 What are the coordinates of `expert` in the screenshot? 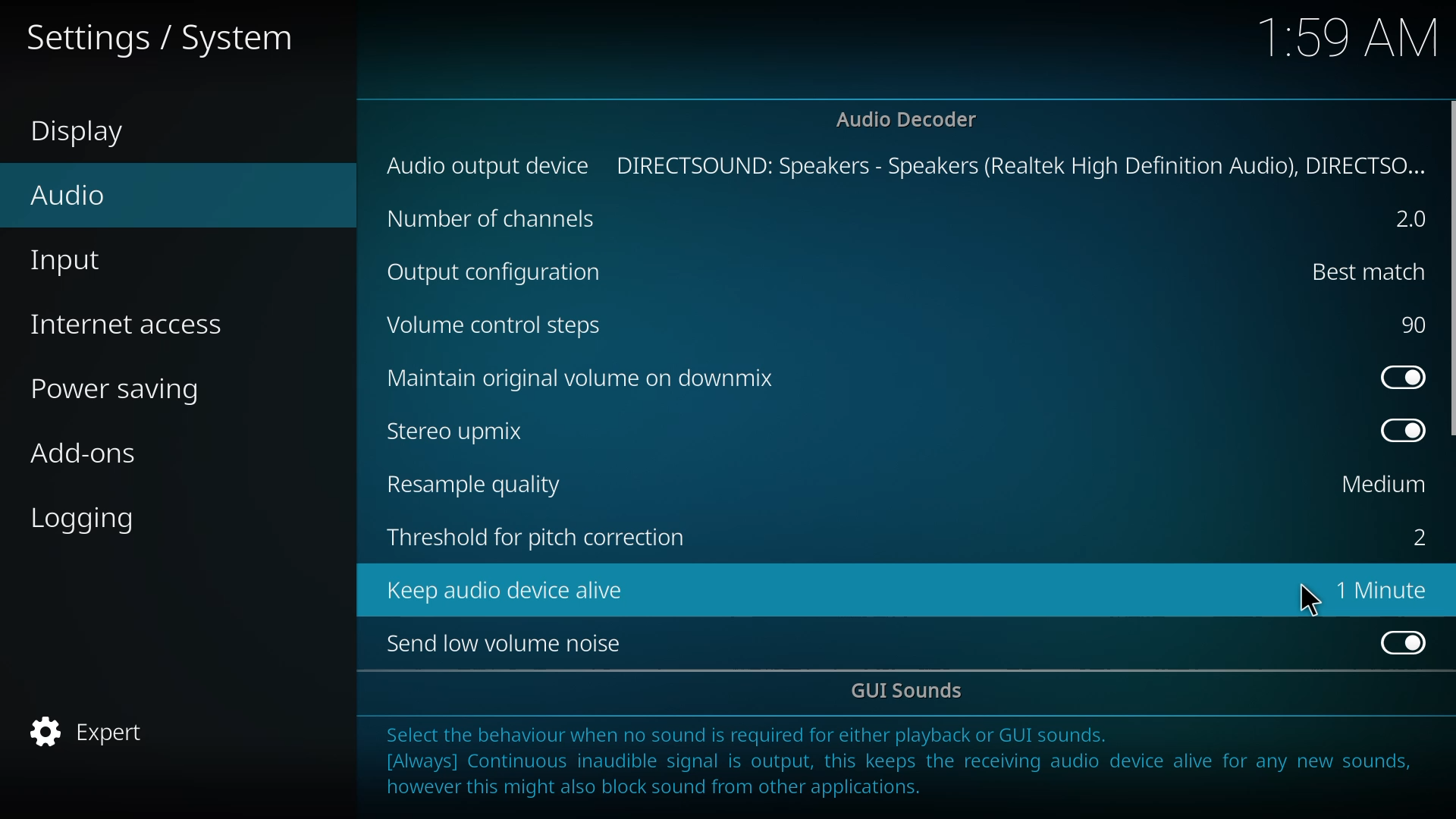 It's located at (96, 734).